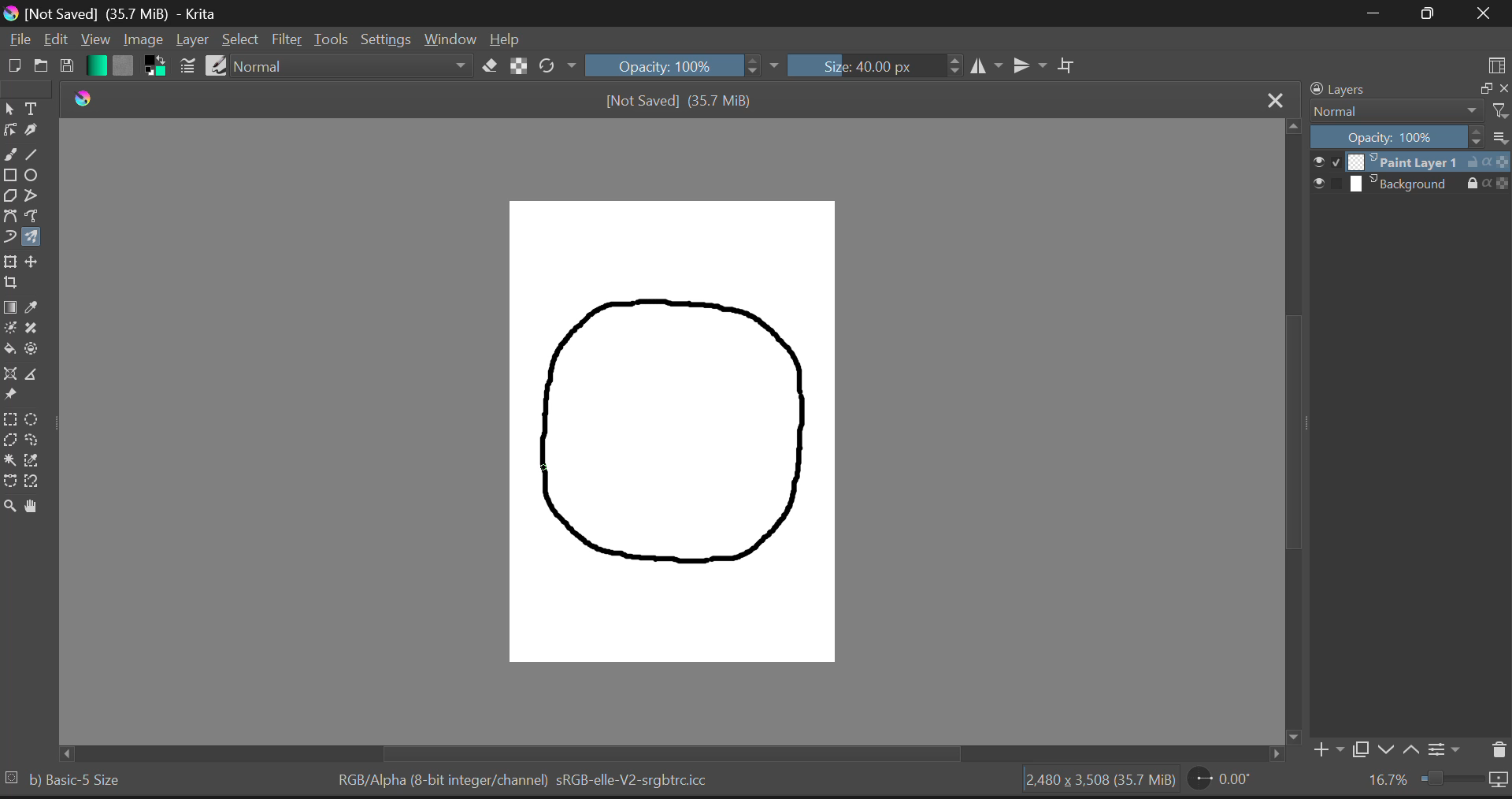 Image resolution: width=1512 pixels, height=799 pixels. I want to click on Continuous Selection, so click(11, 461).